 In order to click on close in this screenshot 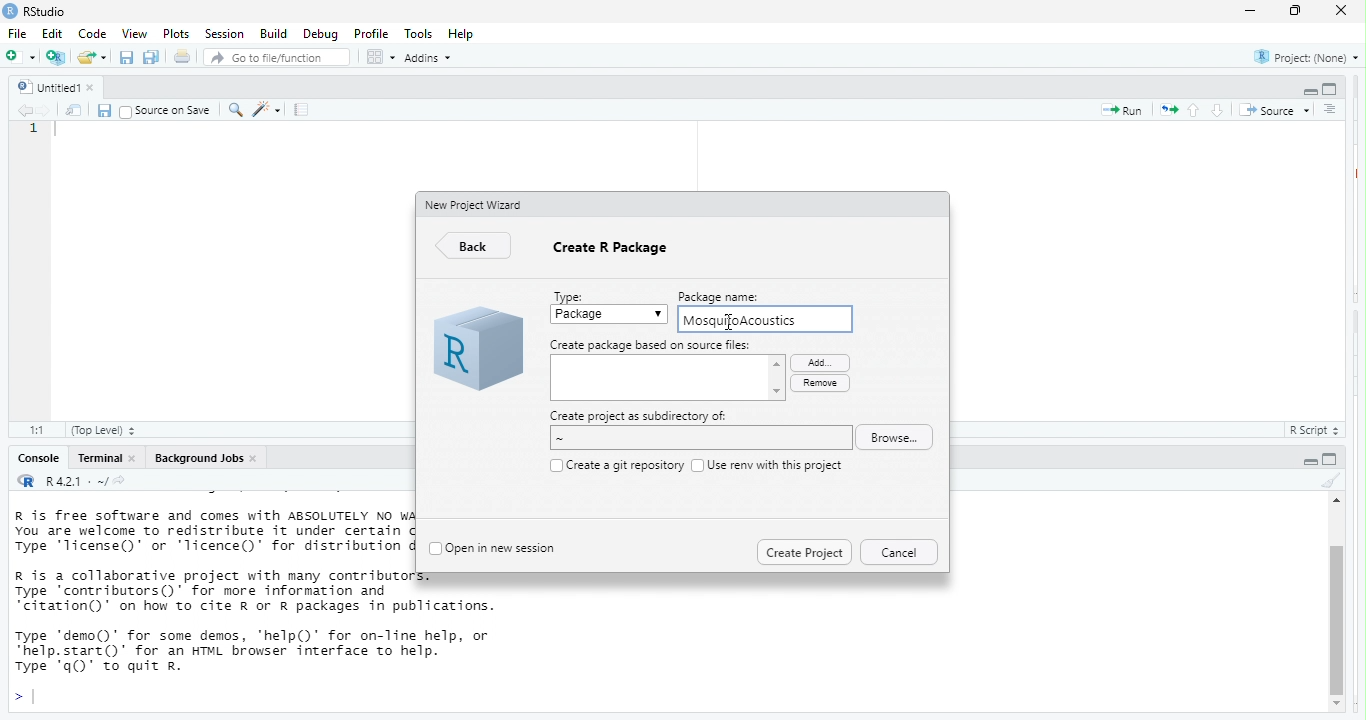, I will do `click(137, 459)`.